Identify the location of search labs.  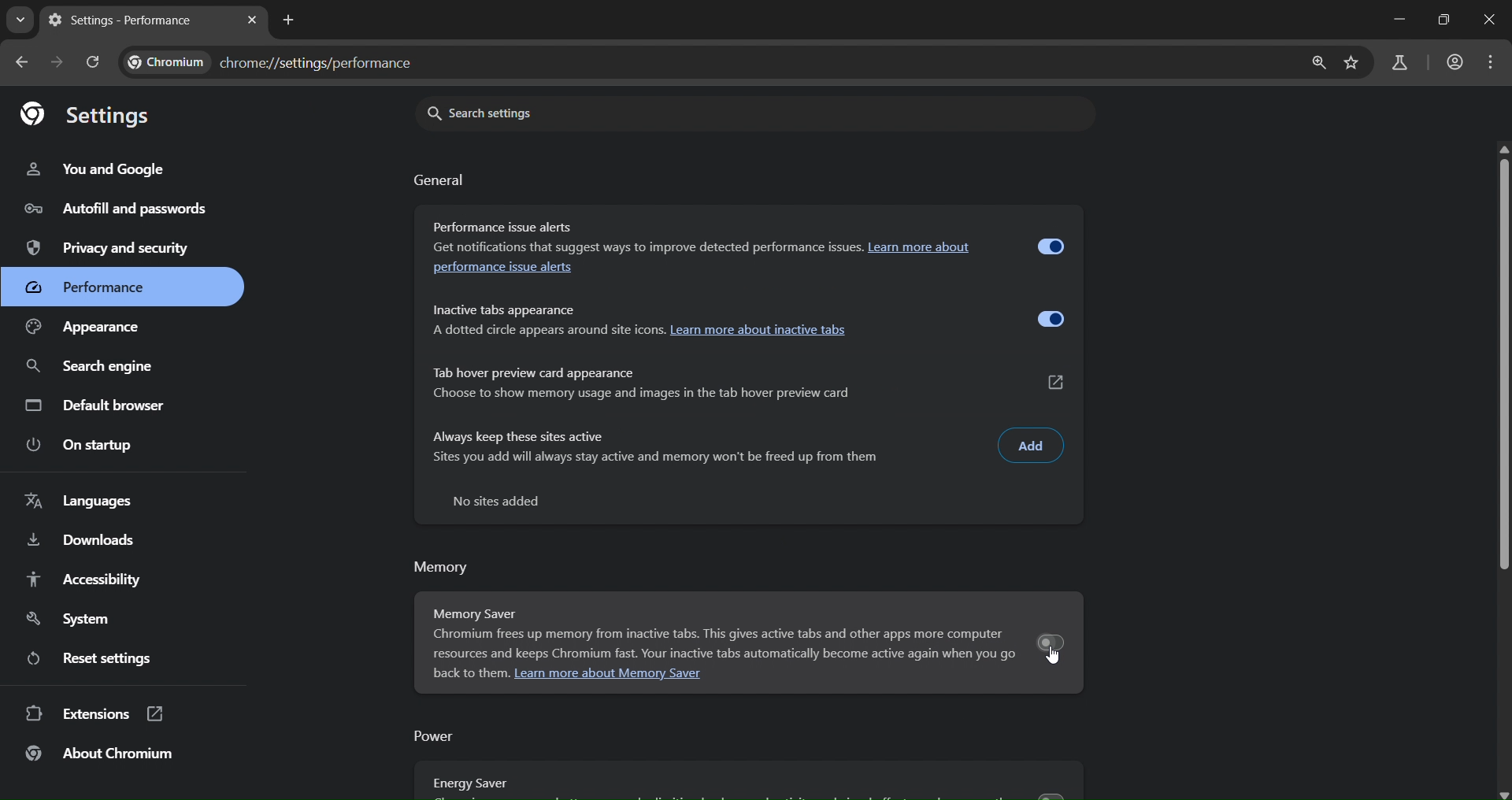
(1396, 64).